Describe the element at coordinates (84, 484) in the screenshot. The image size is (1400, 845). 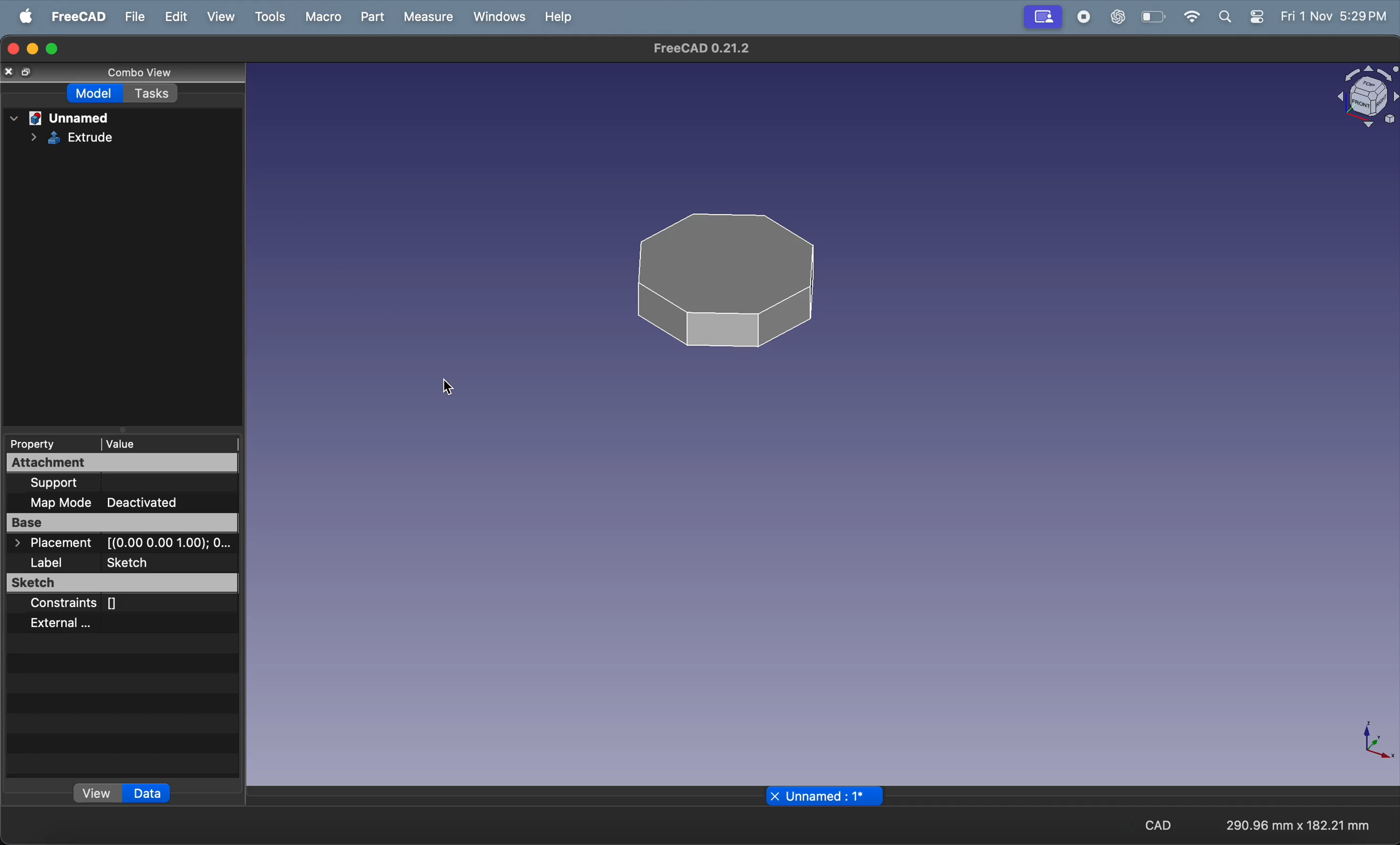
I see `support` at that location.